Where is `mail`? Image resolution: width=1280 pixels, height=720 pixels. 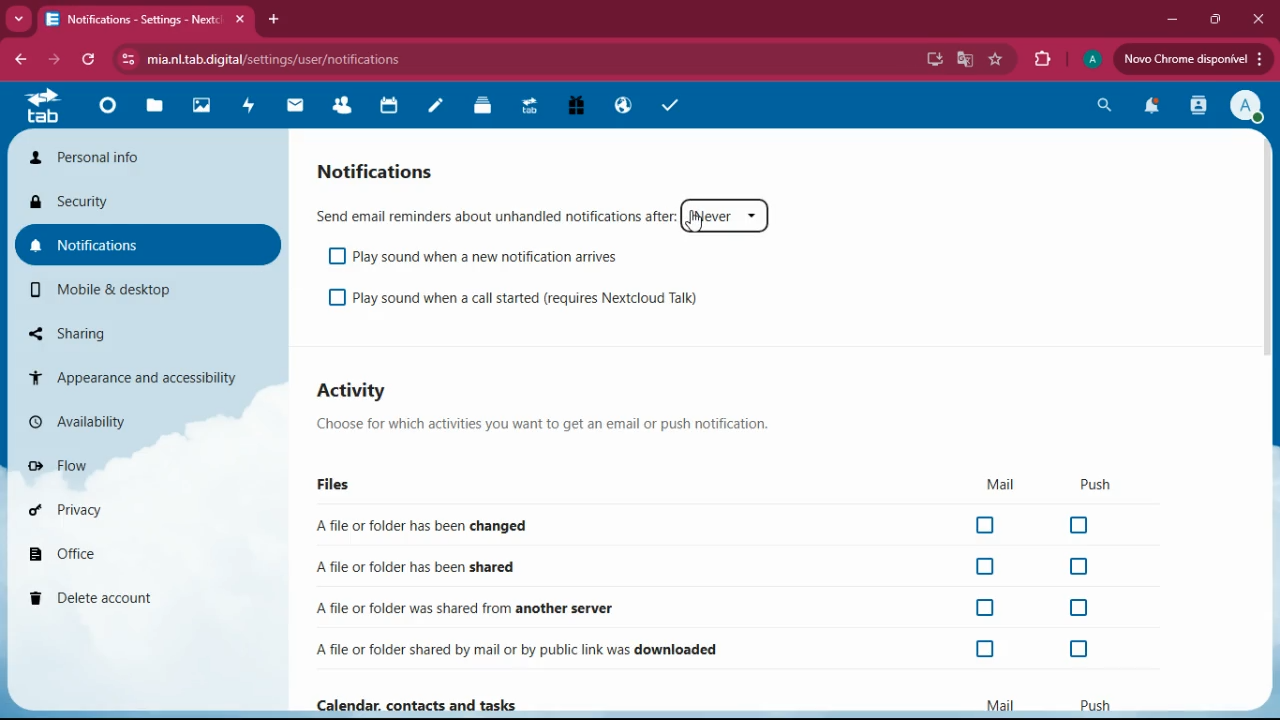 mail is located at coordinates (992, 485).